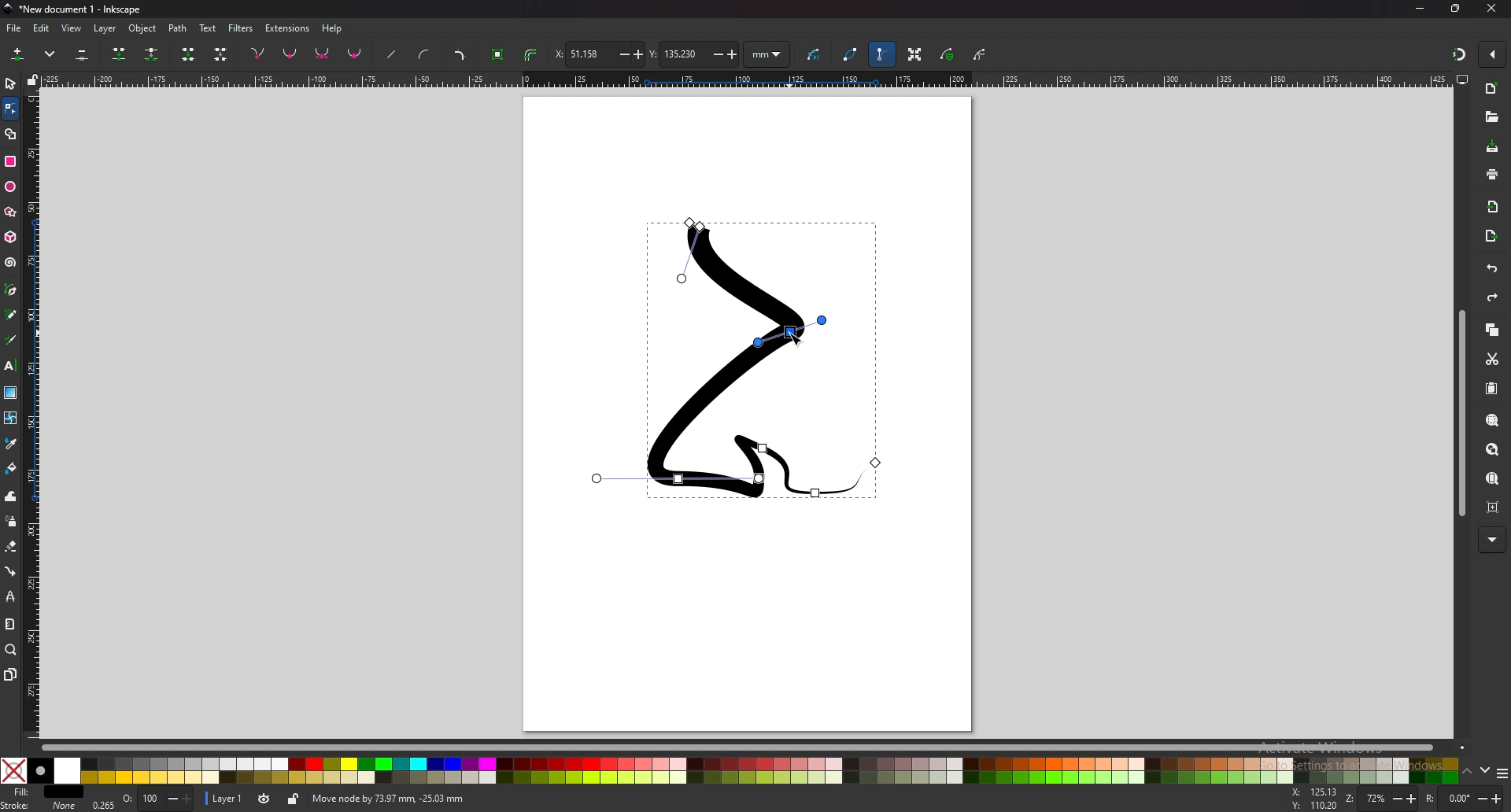 The width and height of the screenshot is (1511, 812). Describe the element at coordinates (334, 28) in the screenshot. I see `help` at that location.